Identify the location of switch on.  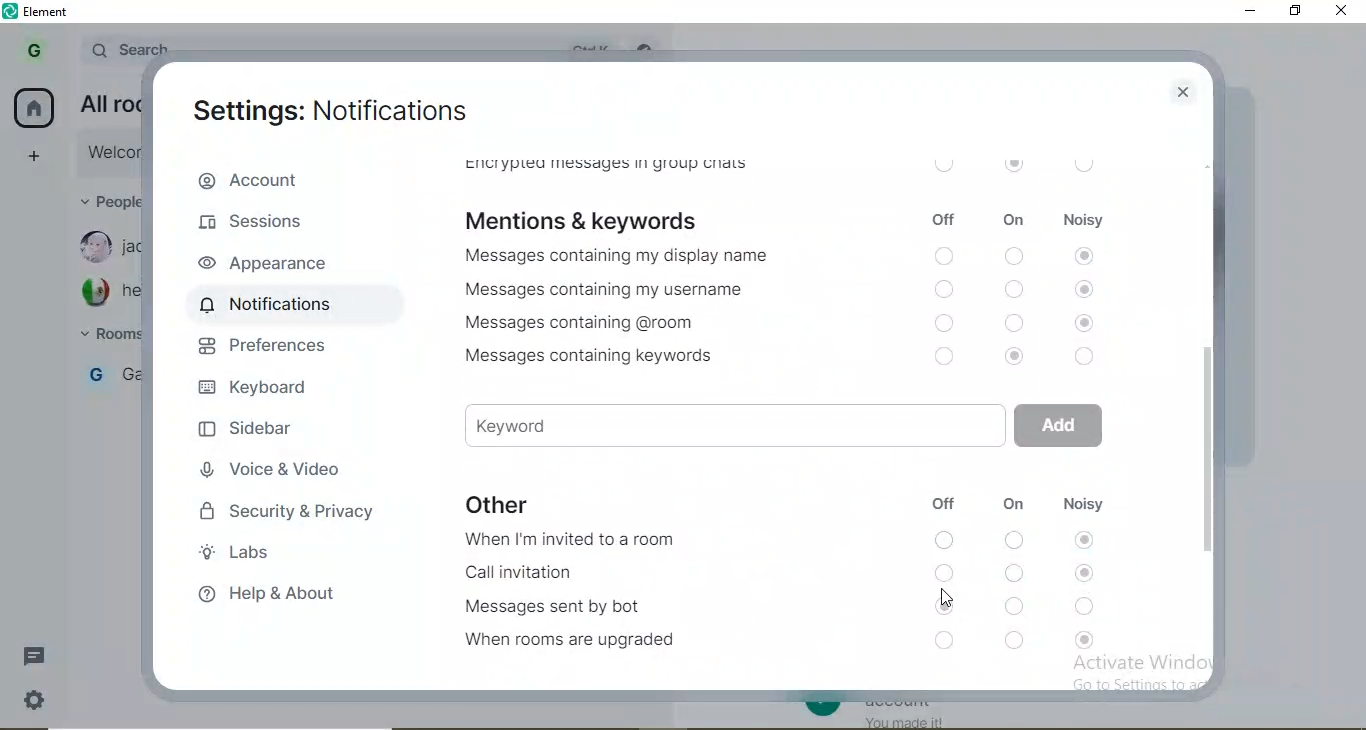
(1017, 643).